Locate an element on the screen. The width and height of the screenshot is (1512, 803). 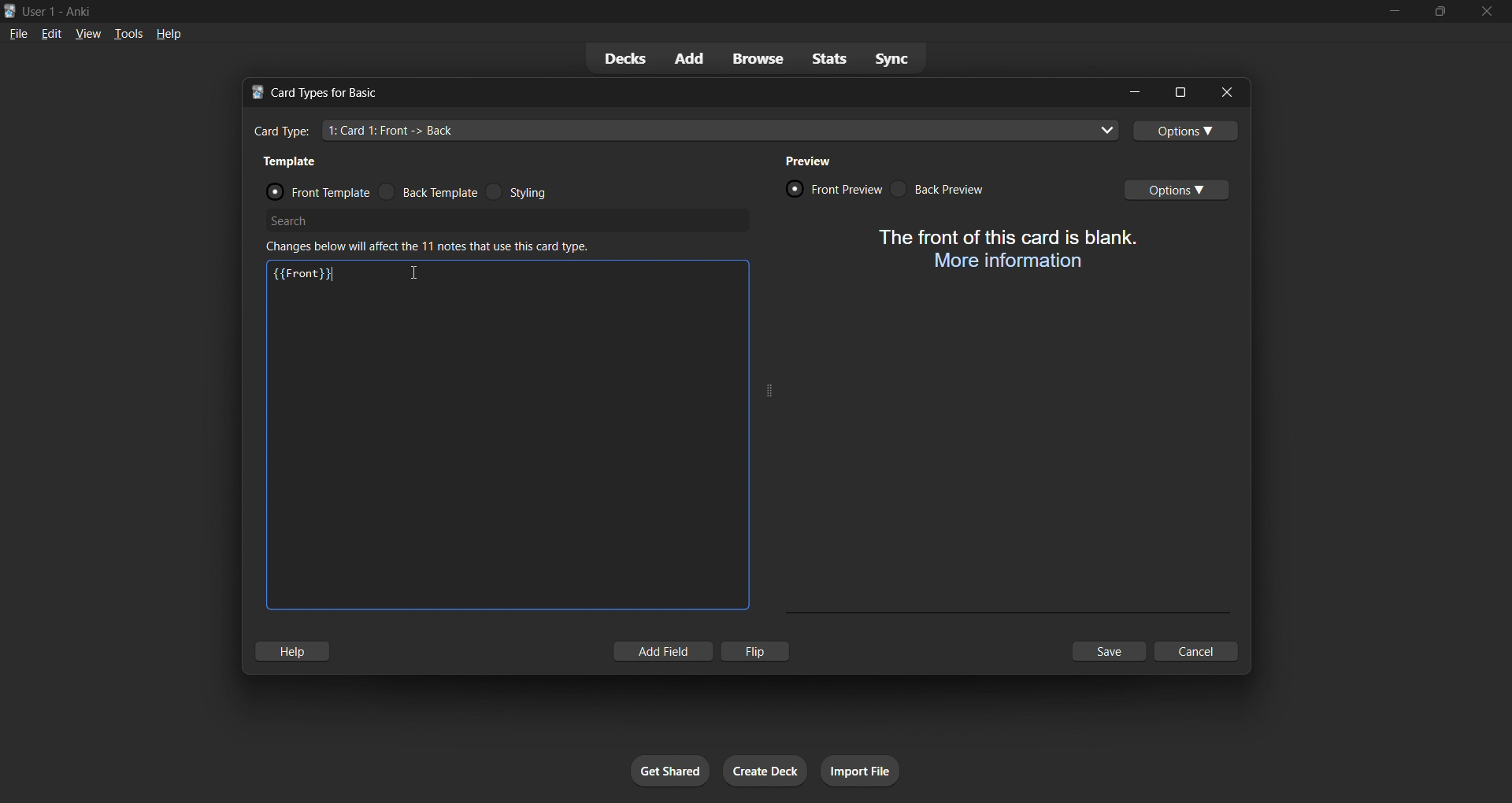
browse is located at coordinates (753, 58).